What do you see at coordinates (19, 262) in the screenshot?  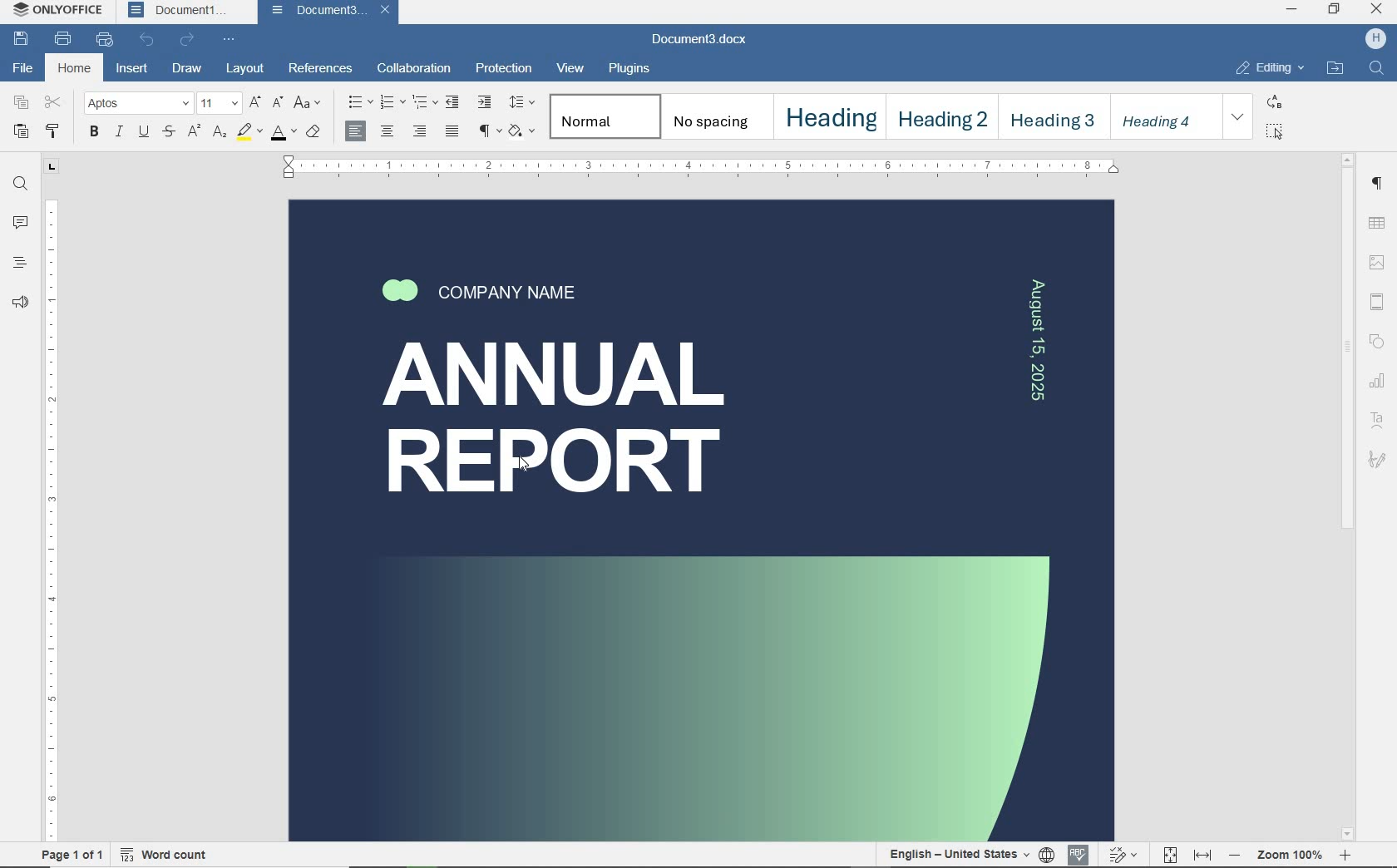 I see `headings` at bounding box center [19, 262].